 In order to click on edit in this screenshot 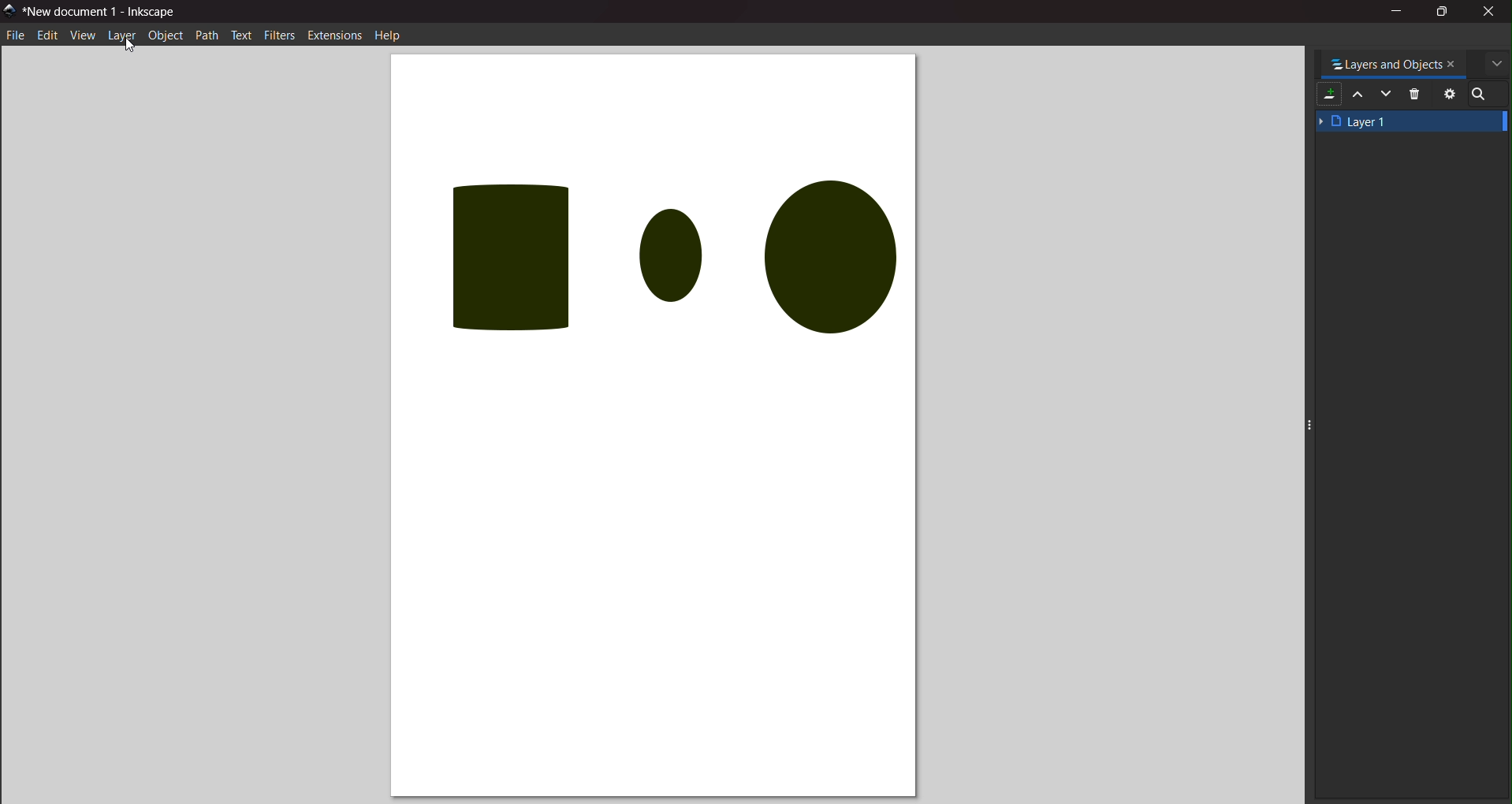, I will do `click(47, 35)`.